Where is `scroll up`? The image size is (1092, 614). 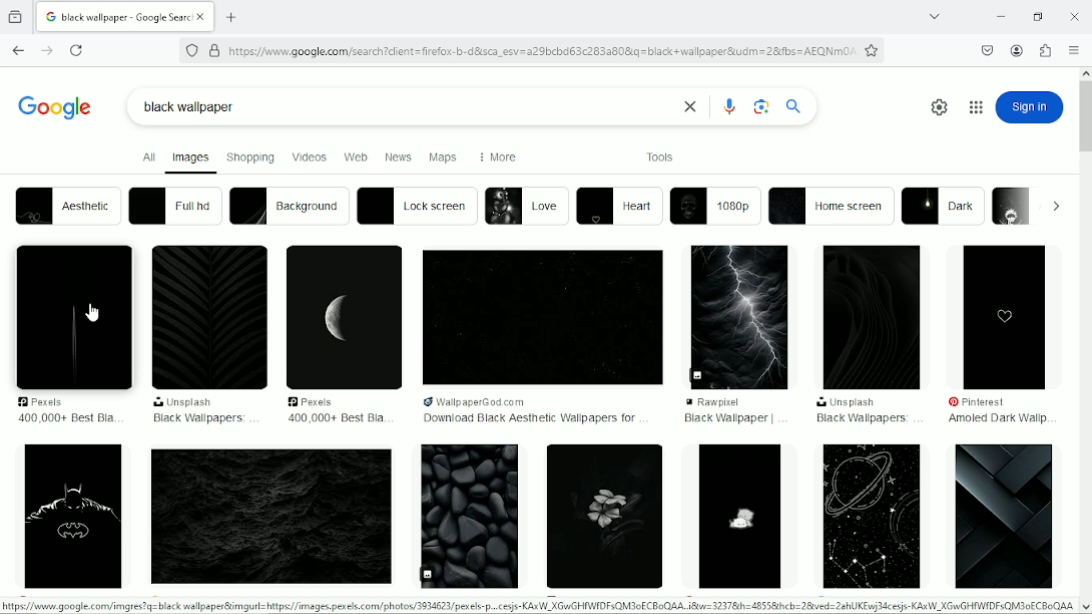
scroll up is located at coordinates (1085, 71).